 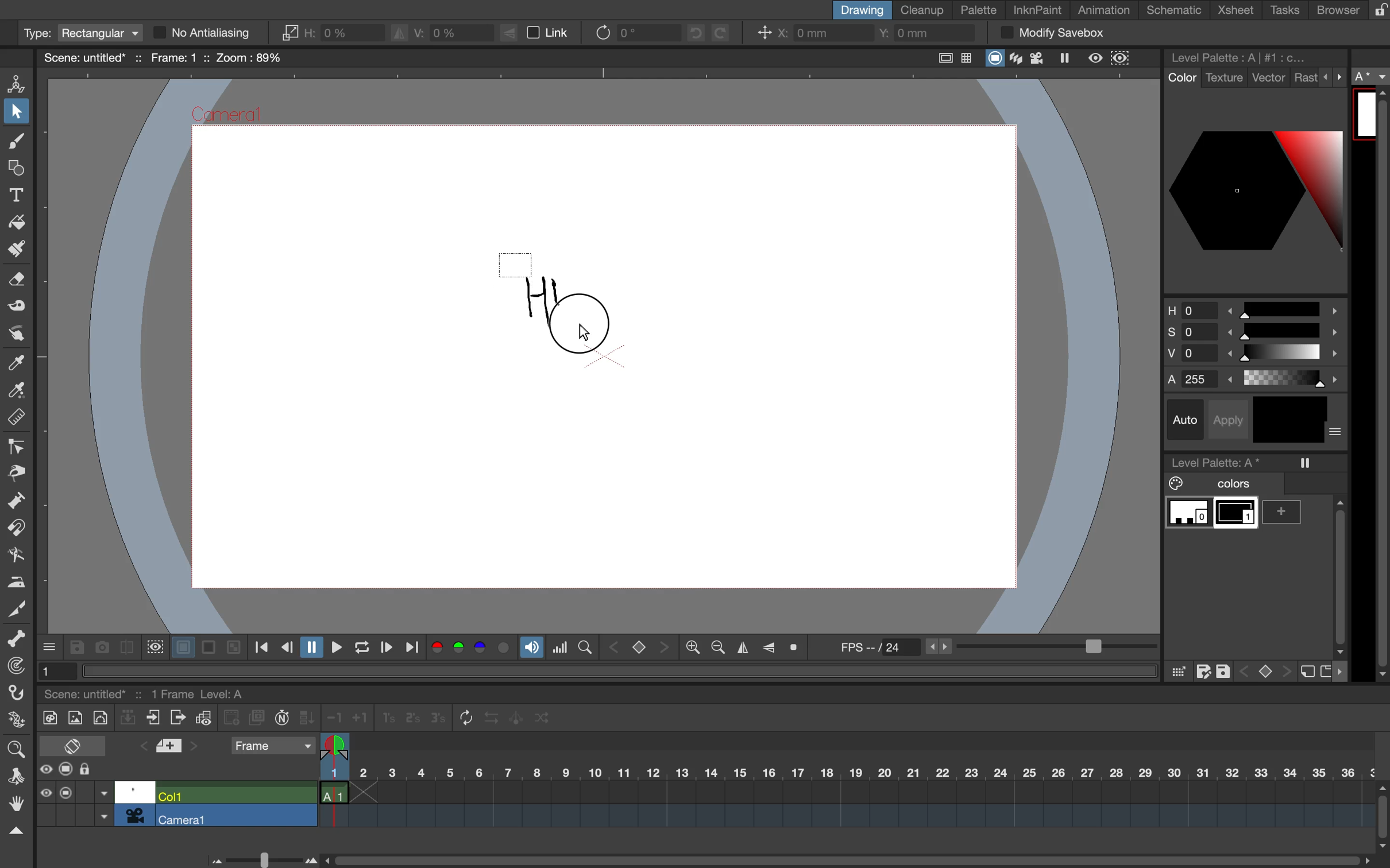 What do you see at coordinates (1253, 334) in the screenshot?
I see `saturation` at bounding box center [1253, 334].